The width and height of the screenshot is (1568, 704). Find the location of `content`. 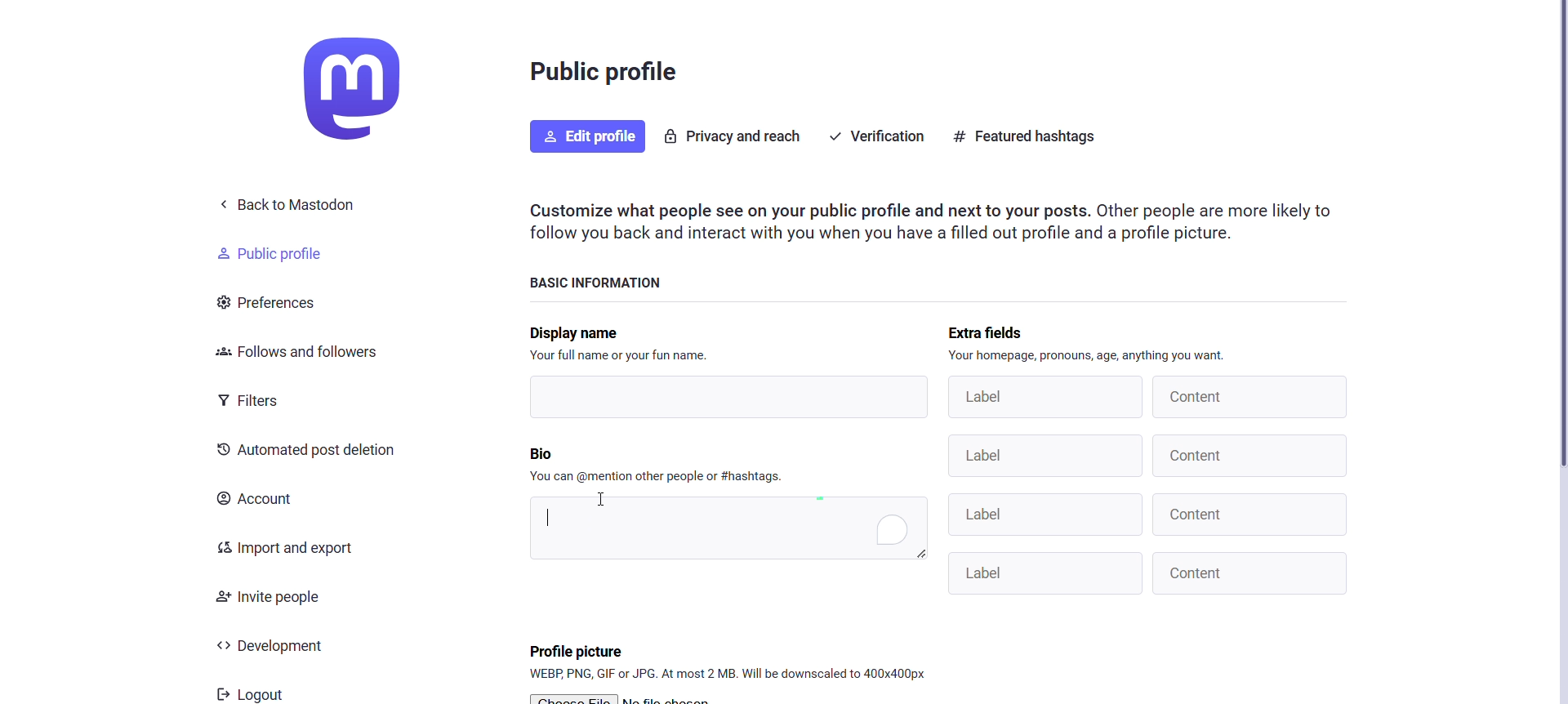

content is located at coordinates (1252, 397).